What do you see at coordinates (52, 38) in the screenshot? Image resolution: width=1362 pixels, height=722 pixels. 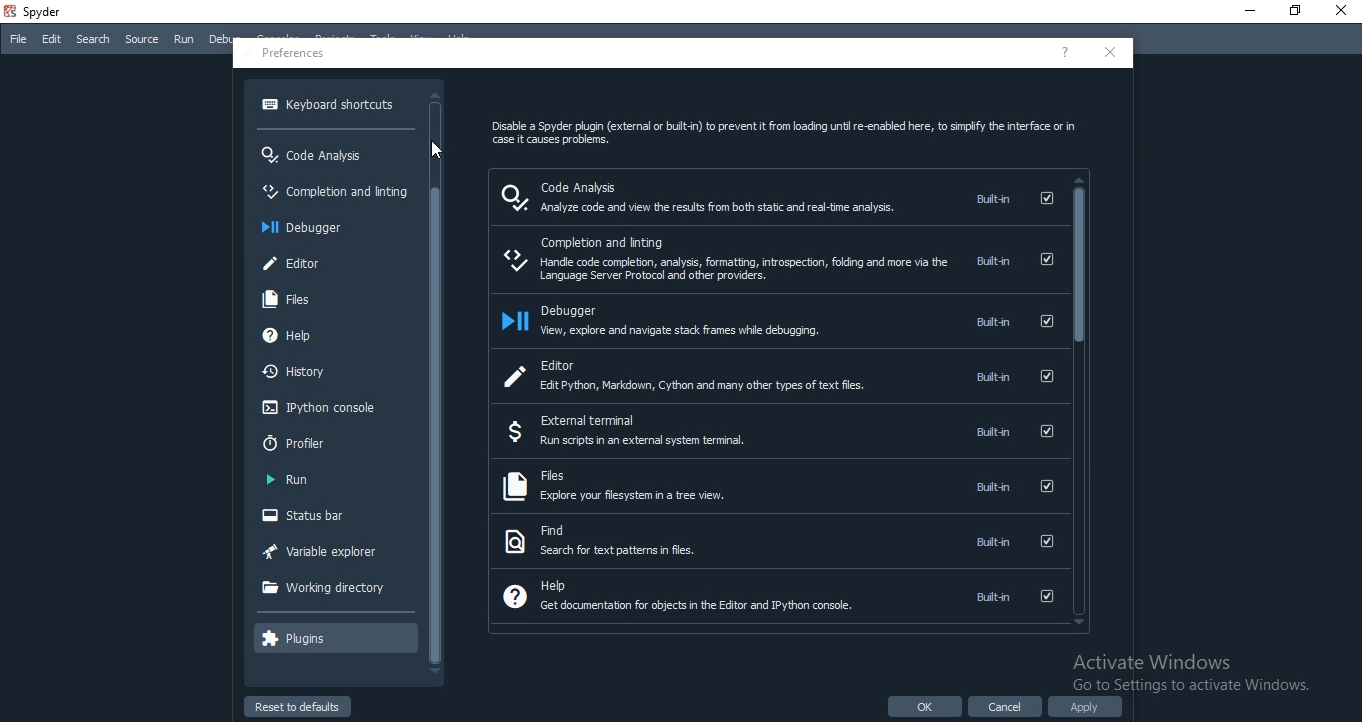 I see `Edit` at bounding box center [52, 38].